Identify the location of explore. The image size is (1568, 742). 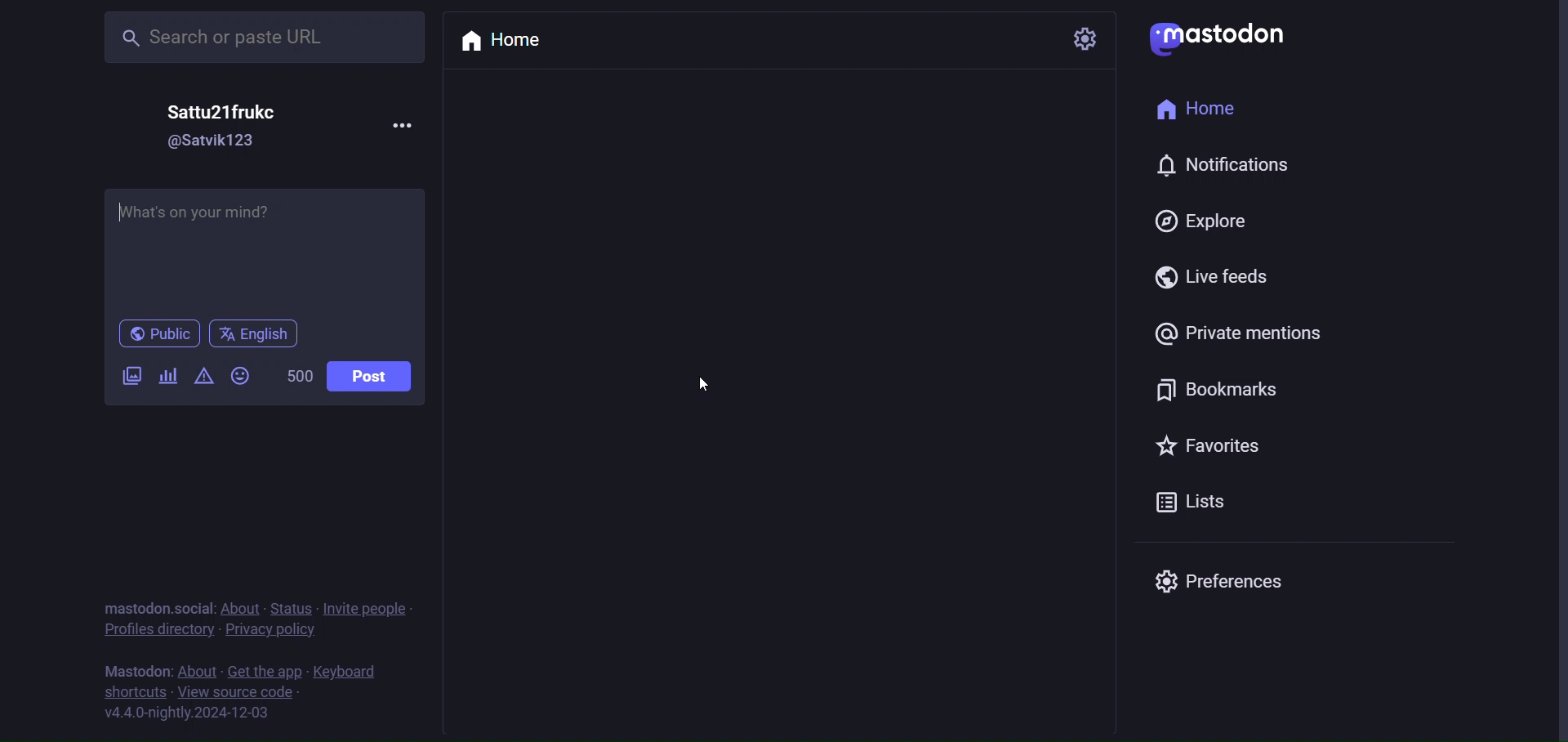
(1203, 223).